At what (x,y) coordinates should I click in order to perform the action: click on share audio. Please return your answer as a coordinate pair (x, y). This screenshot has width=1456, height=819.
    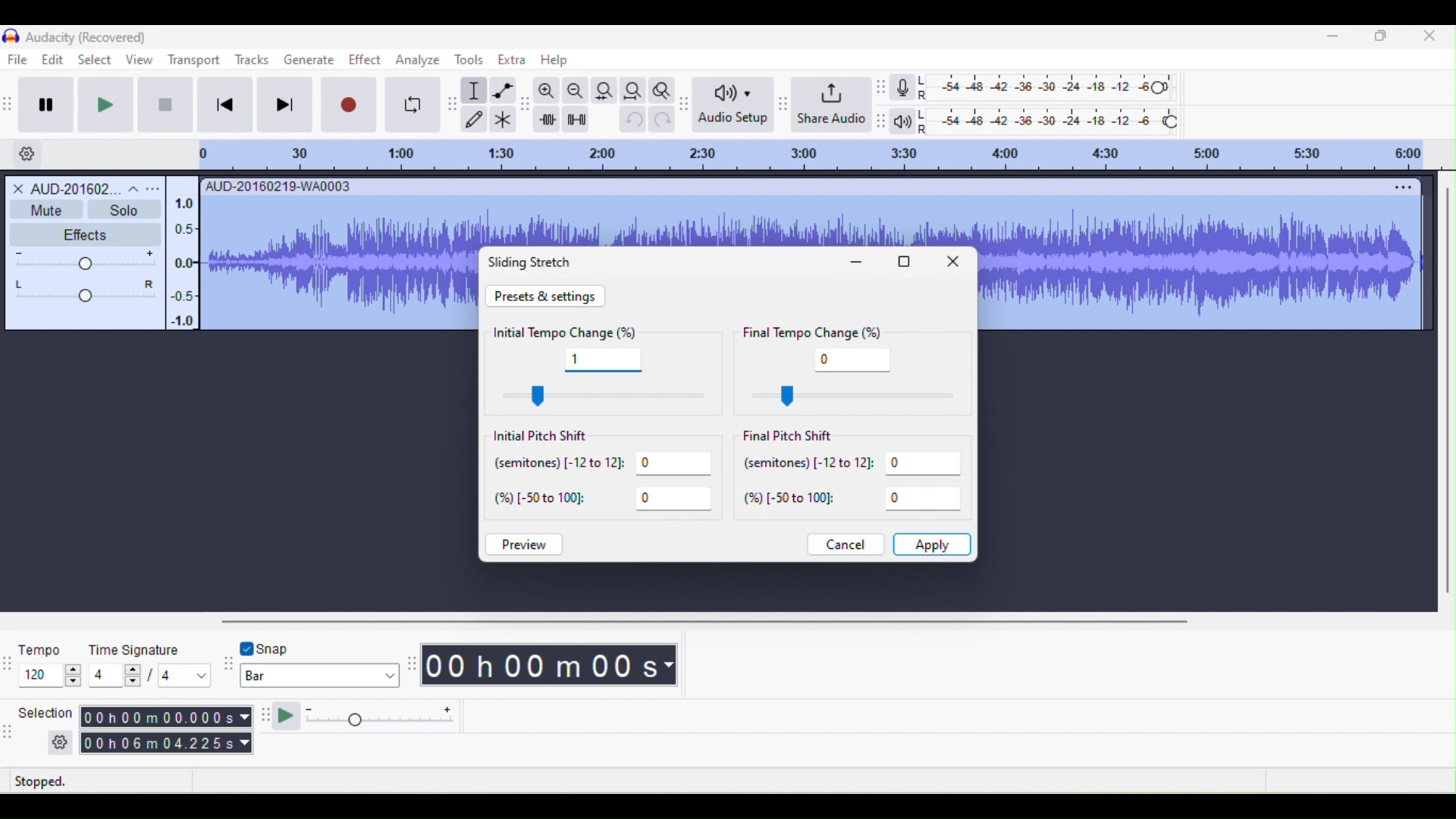
    Looking at the image, I should click on (832, 102).